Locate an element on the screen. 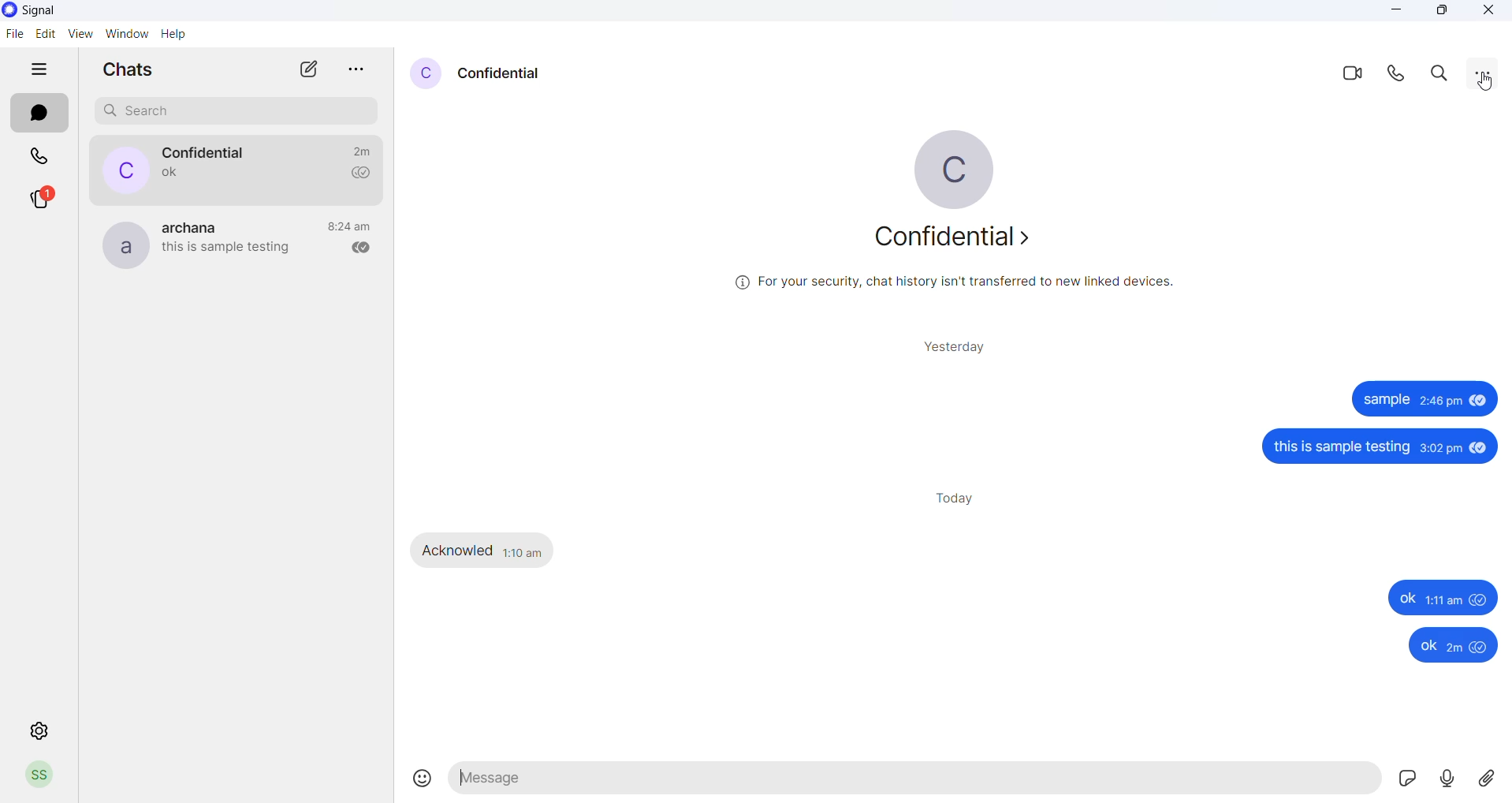 This screenshot has width=1512, height=803. more options is located at coordinates (350, 70).